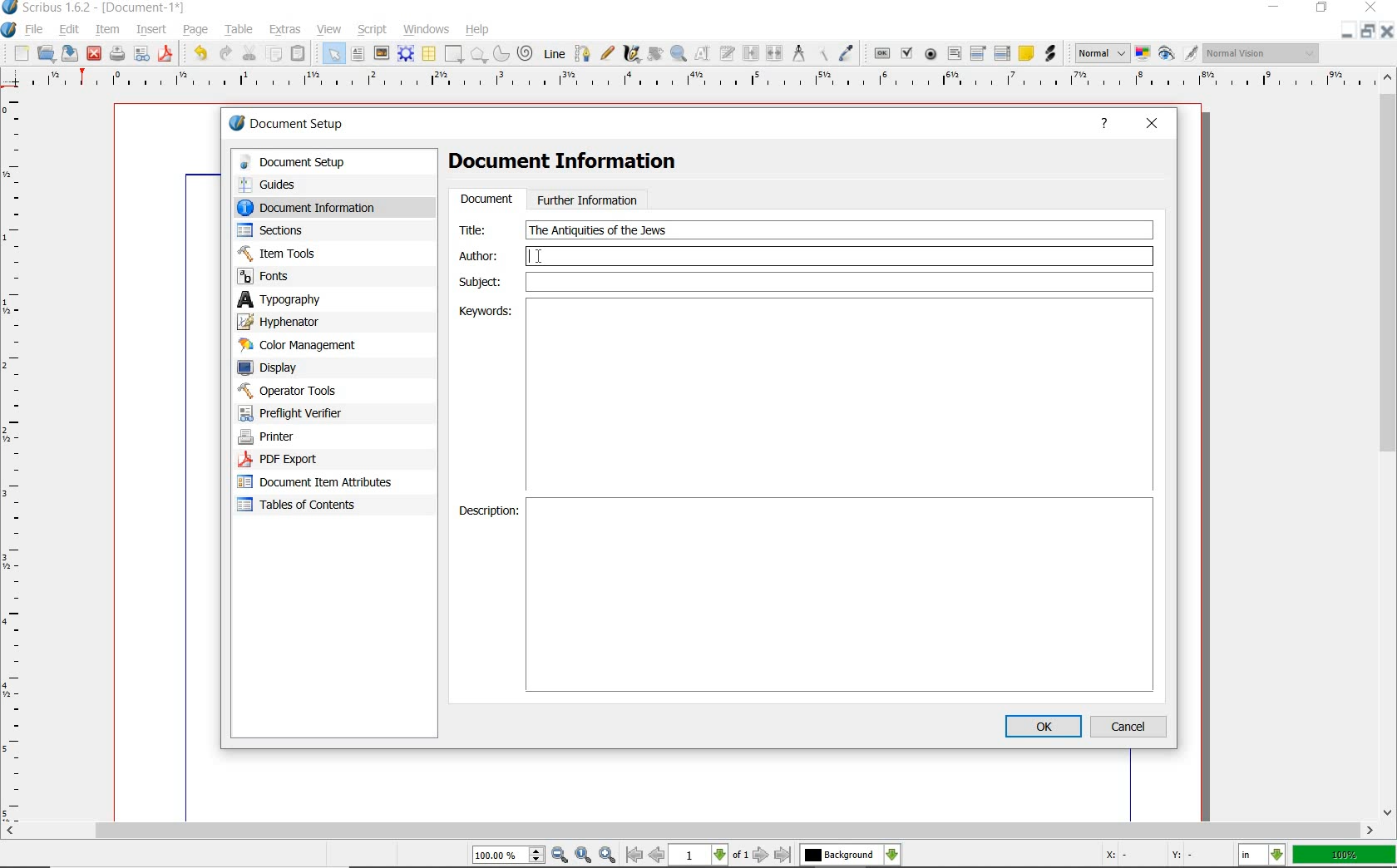 Image resolution: width=1397 pixels, height=868 pixels. Describe the element at coordinates (881, 53) in the screenshot. I see `pdf push button` at that location.